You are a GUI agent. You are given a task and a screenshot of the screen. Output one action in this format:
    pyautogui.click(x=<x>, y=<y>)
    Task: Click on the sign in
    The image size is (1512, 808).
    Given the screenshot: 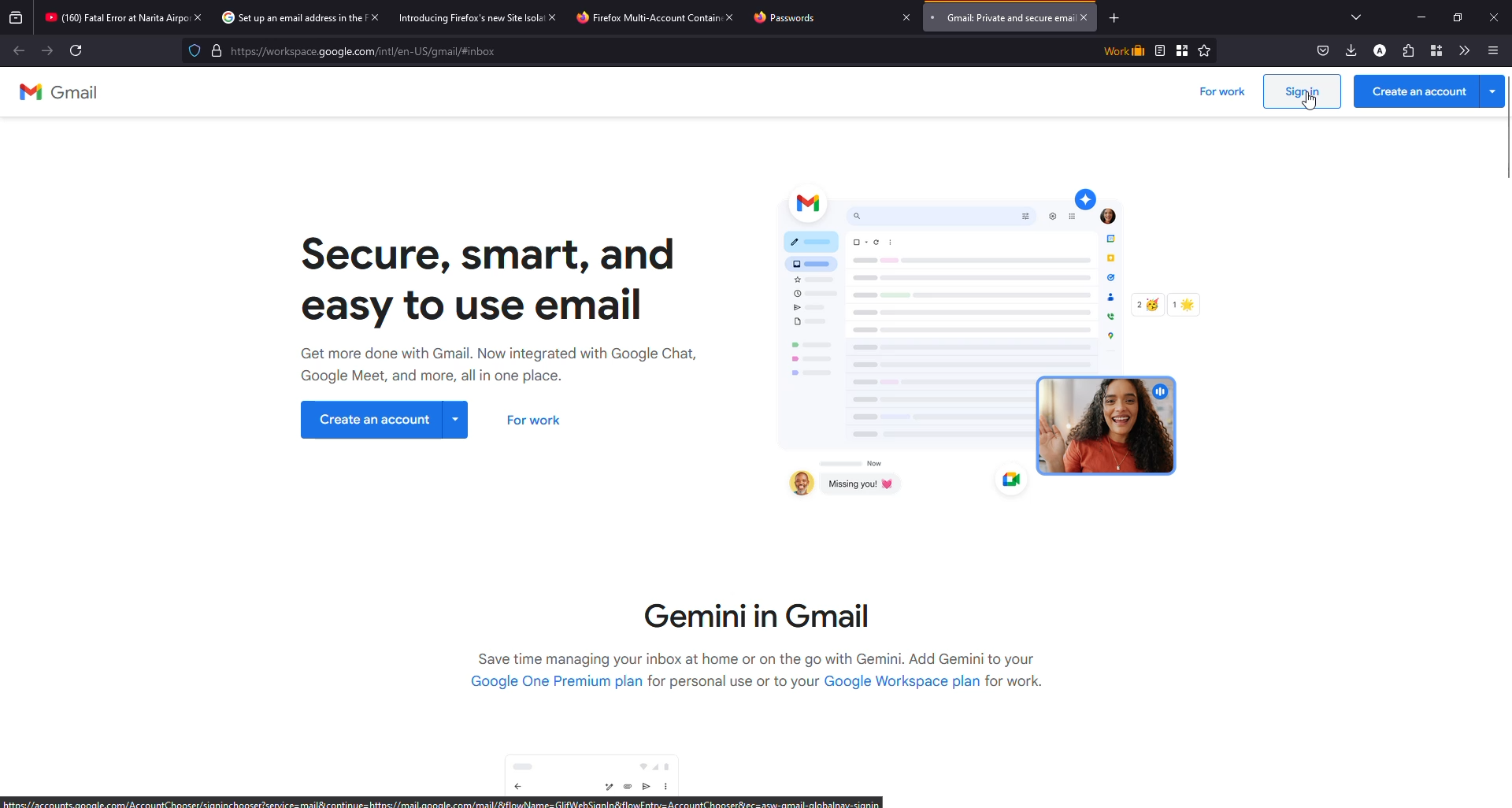 What is the action you would take?
    pyautogui.click(x=1306, y=93)
    